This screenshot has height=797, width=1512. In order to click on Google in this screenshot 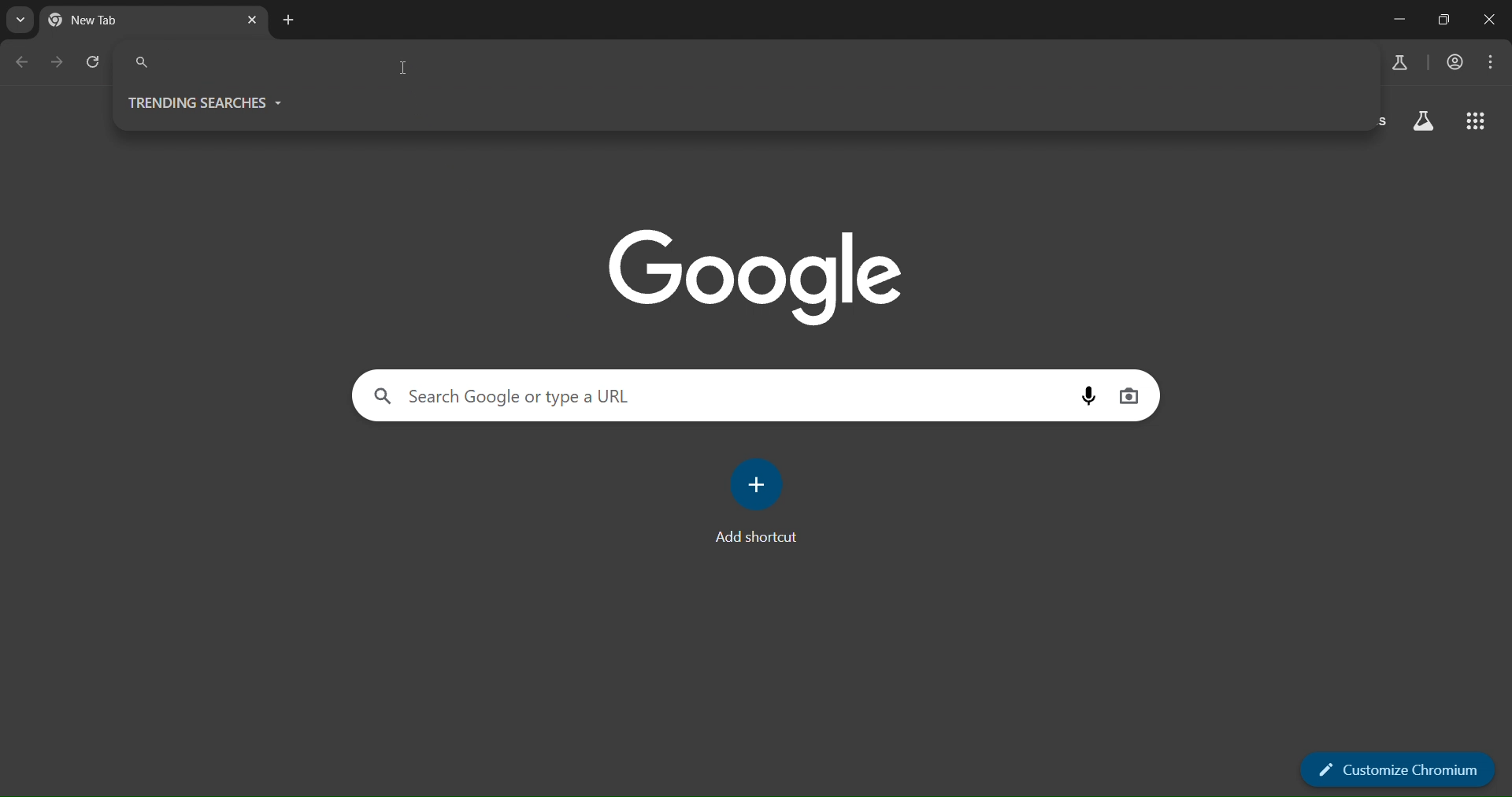, I will do `click(755, 276)`.